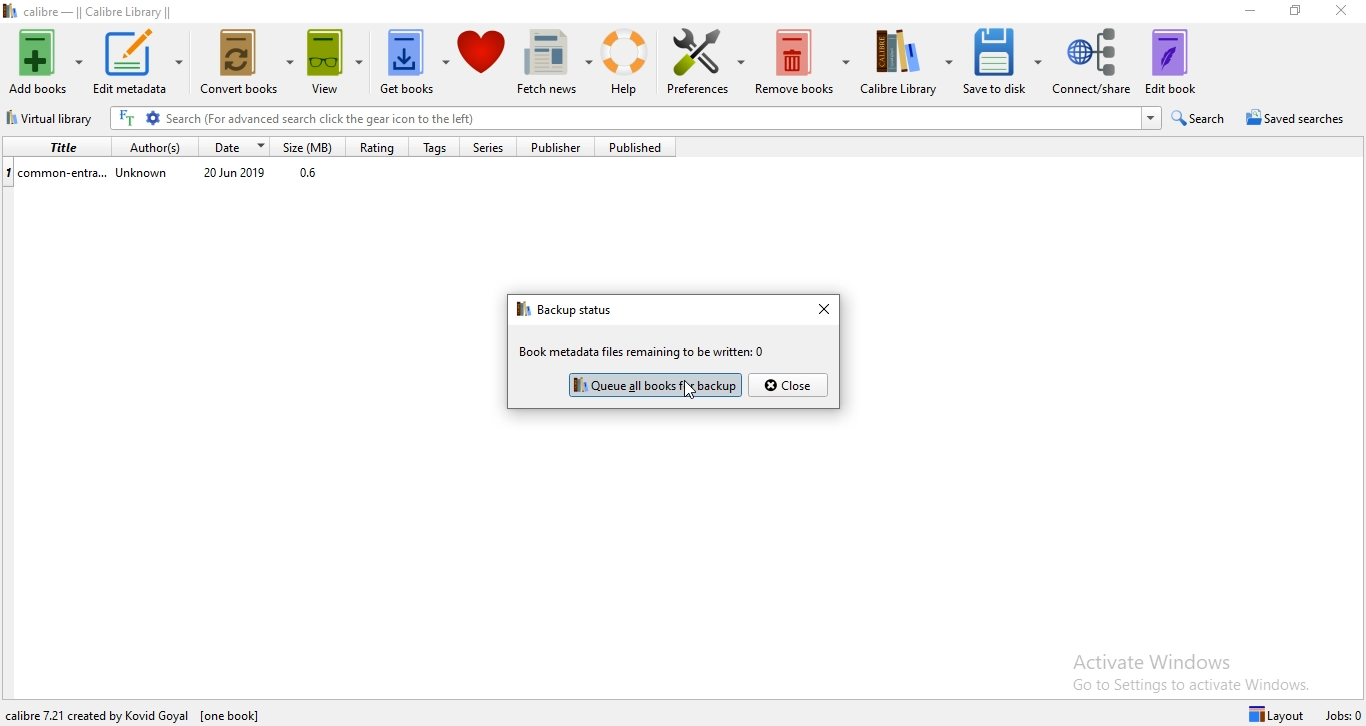 This screenshot has height=726, width=1366. Describe the element at coordinates (557, 64) in the screenshot. I see `Fetch news` at that location.